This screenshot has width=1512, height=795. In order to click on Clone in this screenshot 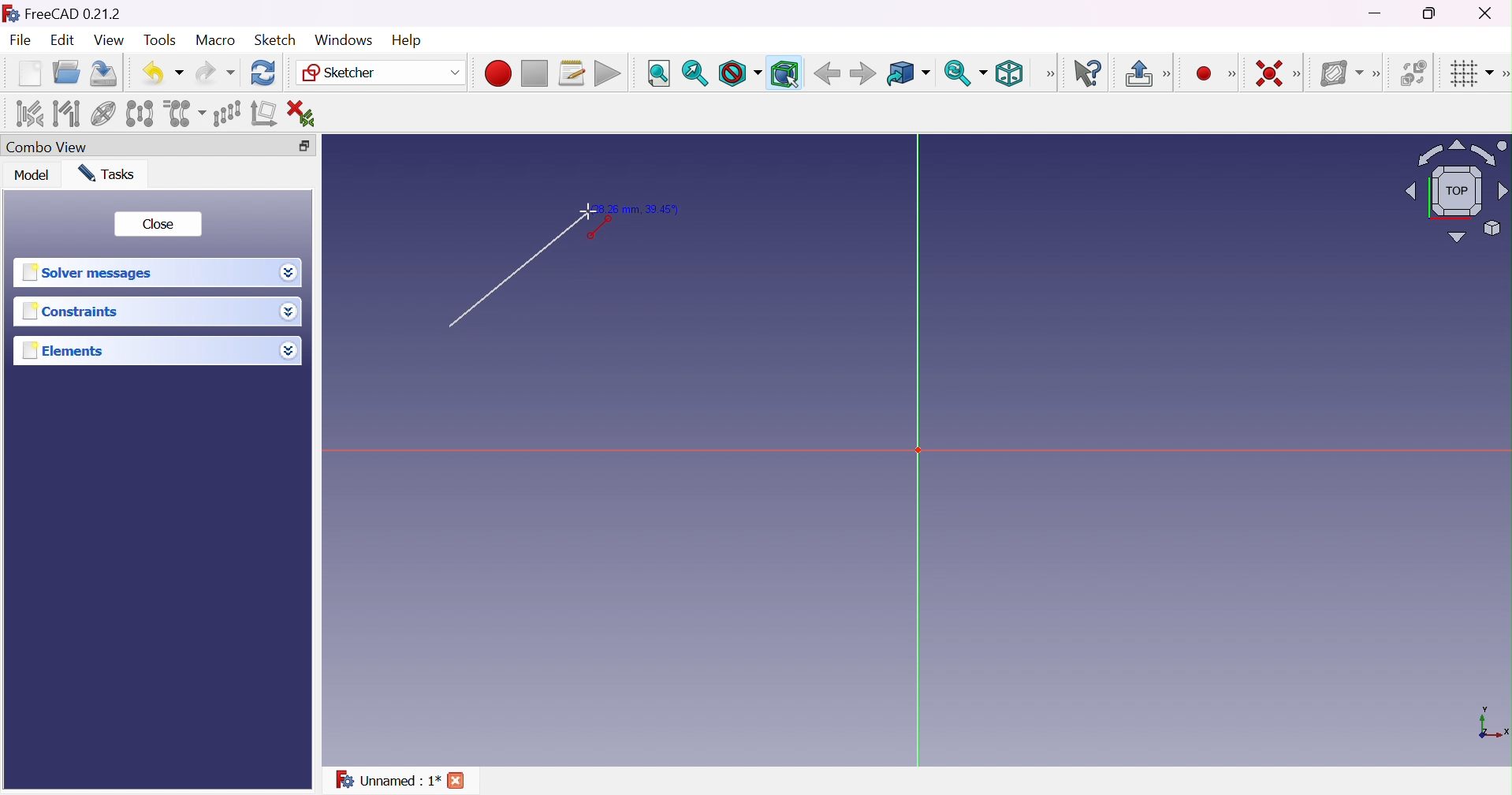, I will do `click(184, 112)`.